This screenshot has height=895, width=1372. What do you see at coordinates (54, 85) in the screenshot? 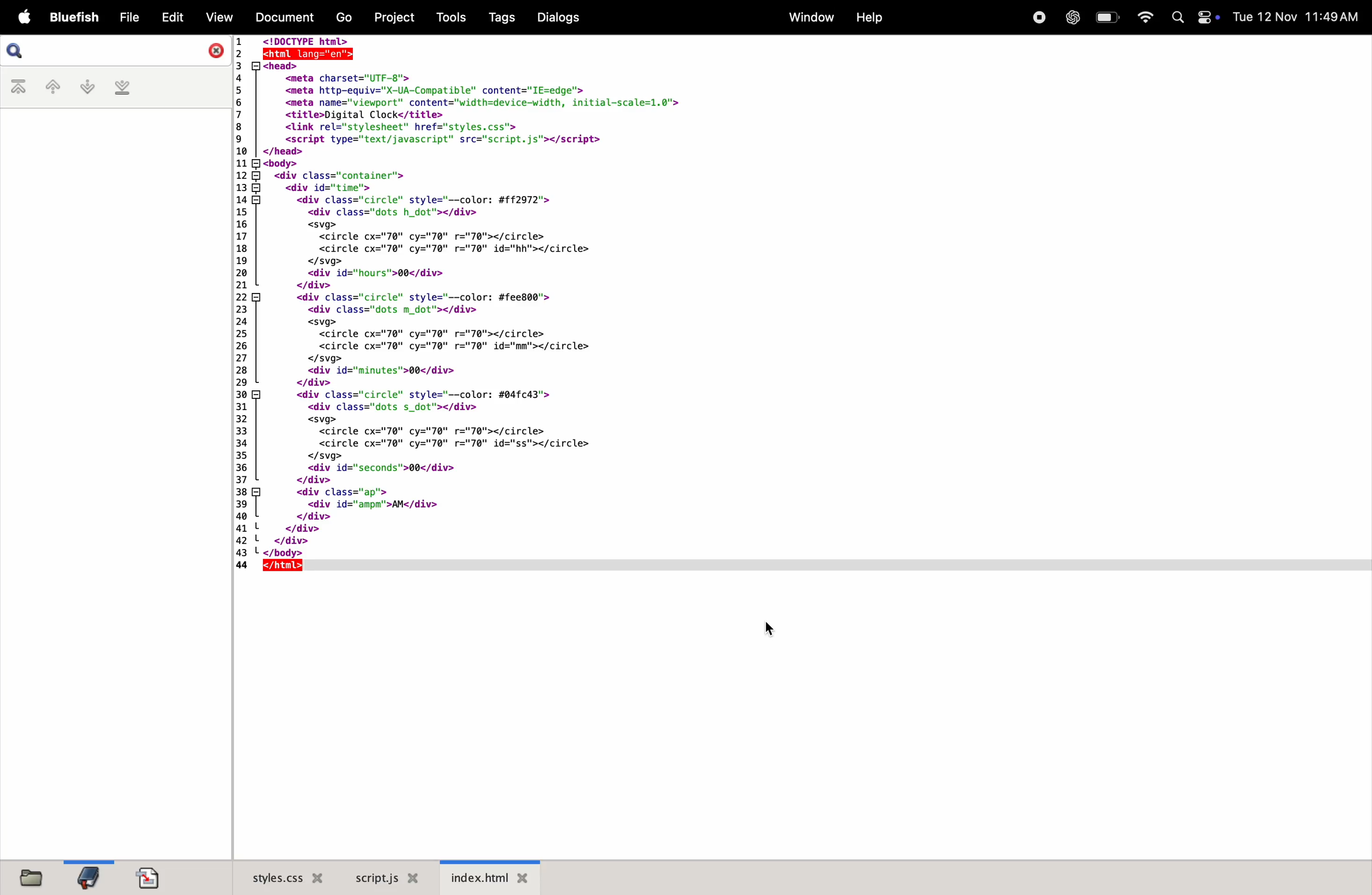
I see `previous bookmark` at bounding box center [54, 85].